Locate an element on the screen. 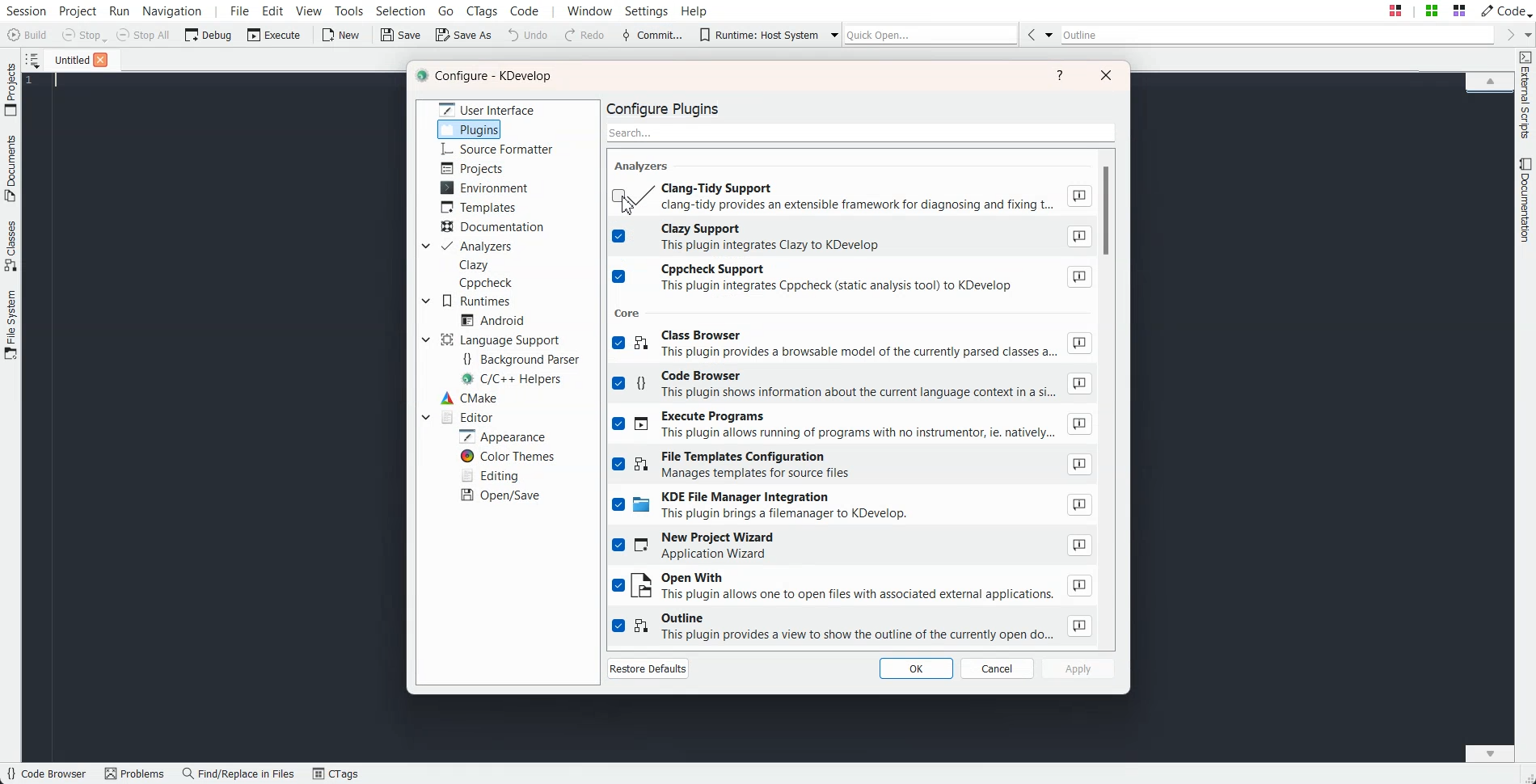 This screenshot has width=1536, height=784. Quick Open is located at coordinates (1427, 11).